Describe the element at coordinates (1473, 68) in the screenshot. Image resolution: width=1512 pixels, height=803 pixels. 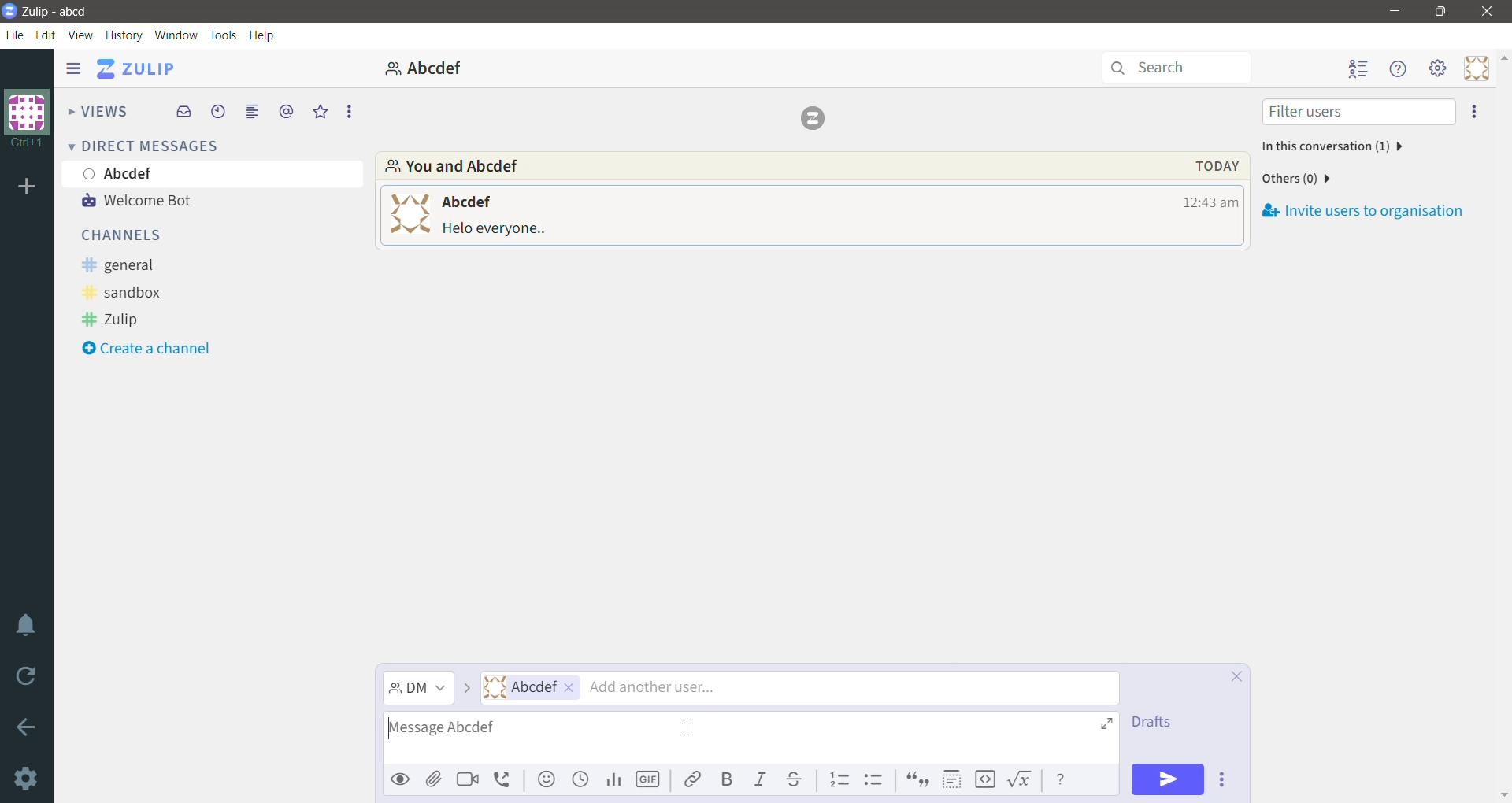
I see `Personal Menu` at that location.